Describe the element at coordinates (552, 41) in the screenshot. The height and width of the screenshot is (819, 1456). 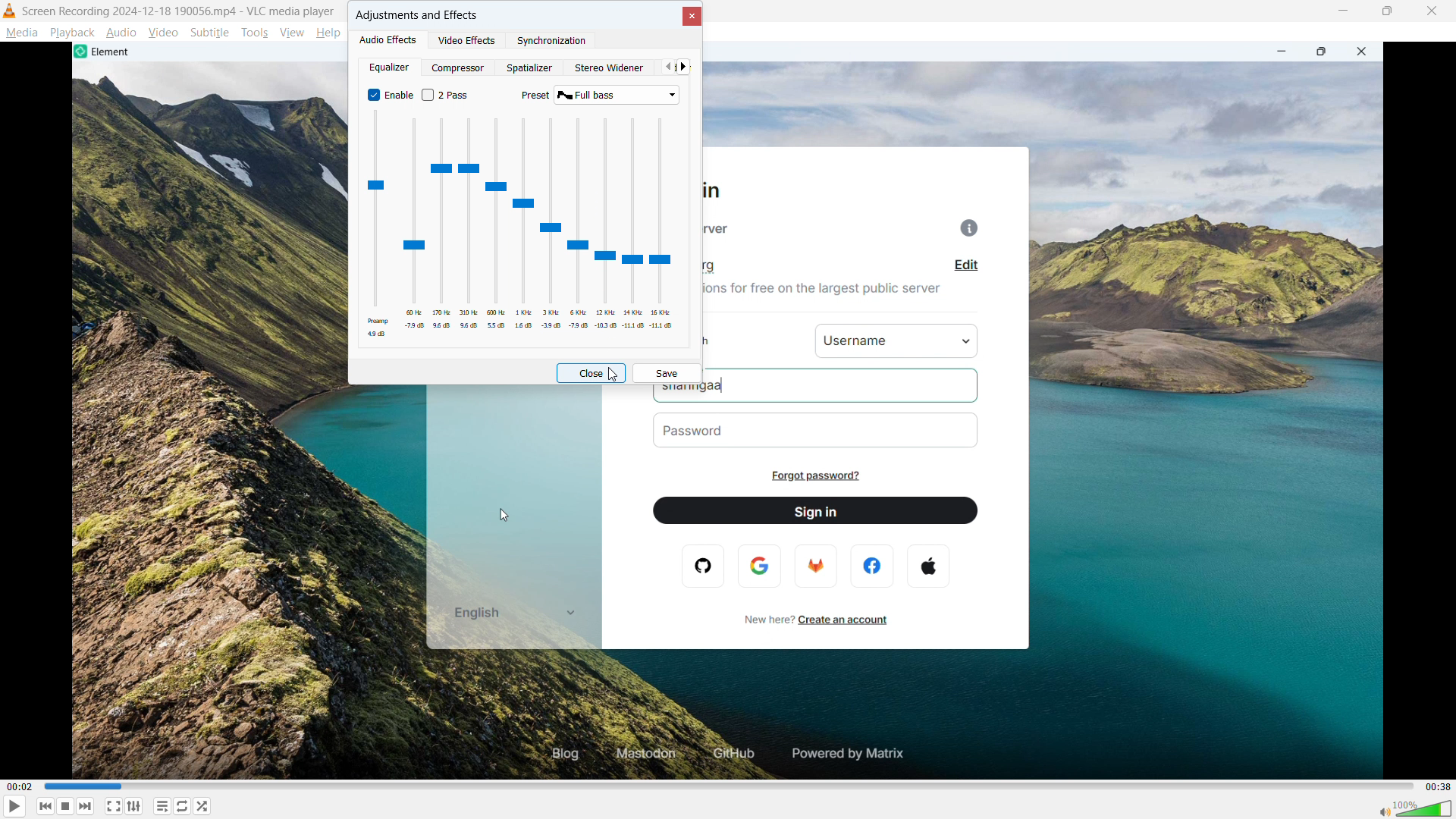
I see `synchronization ` at that location.